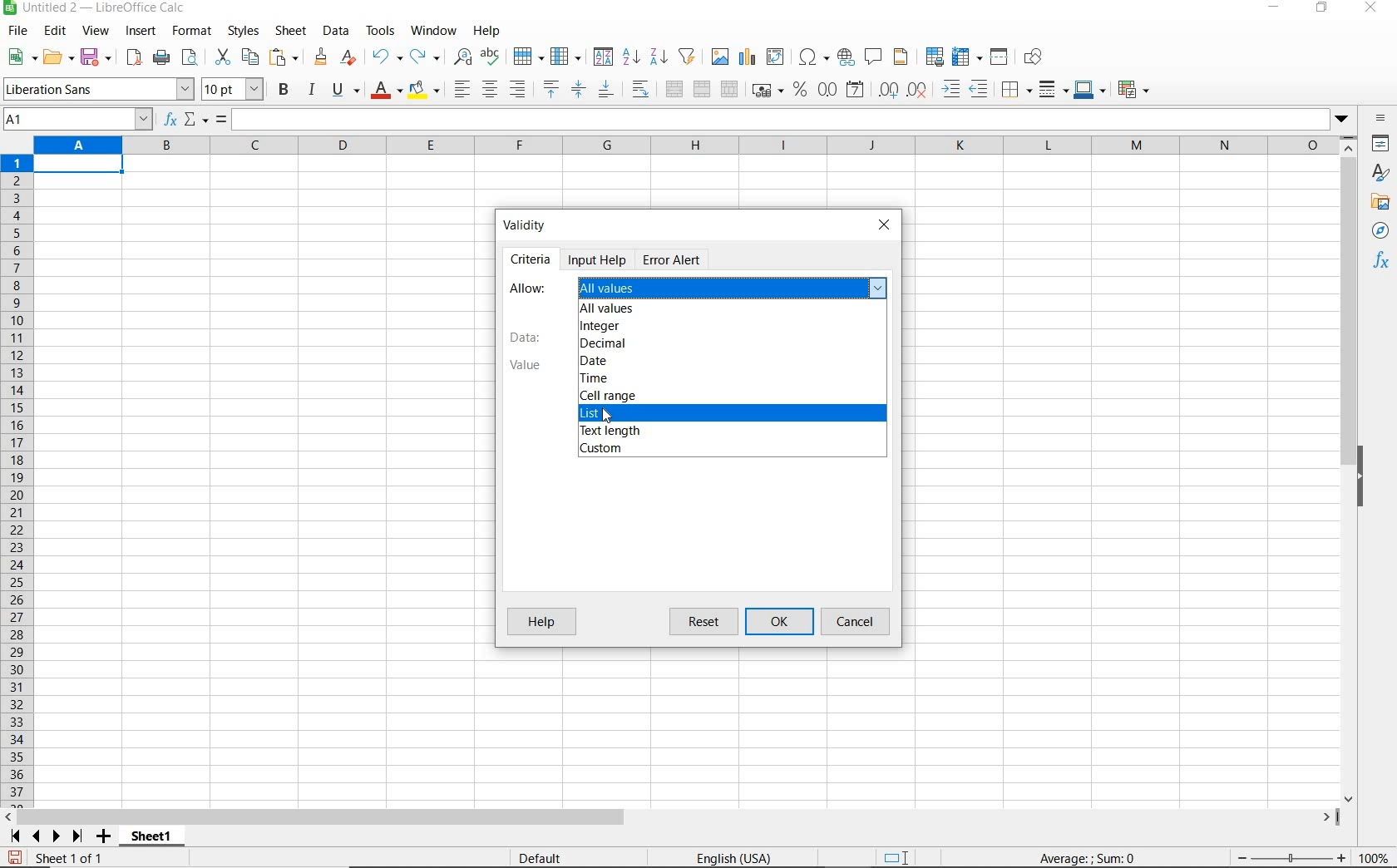 This screenshot has width=1397, height=868. Describe the element at coordinates (1036, 57) in the screenshot. I see `show draw functions` at that location.